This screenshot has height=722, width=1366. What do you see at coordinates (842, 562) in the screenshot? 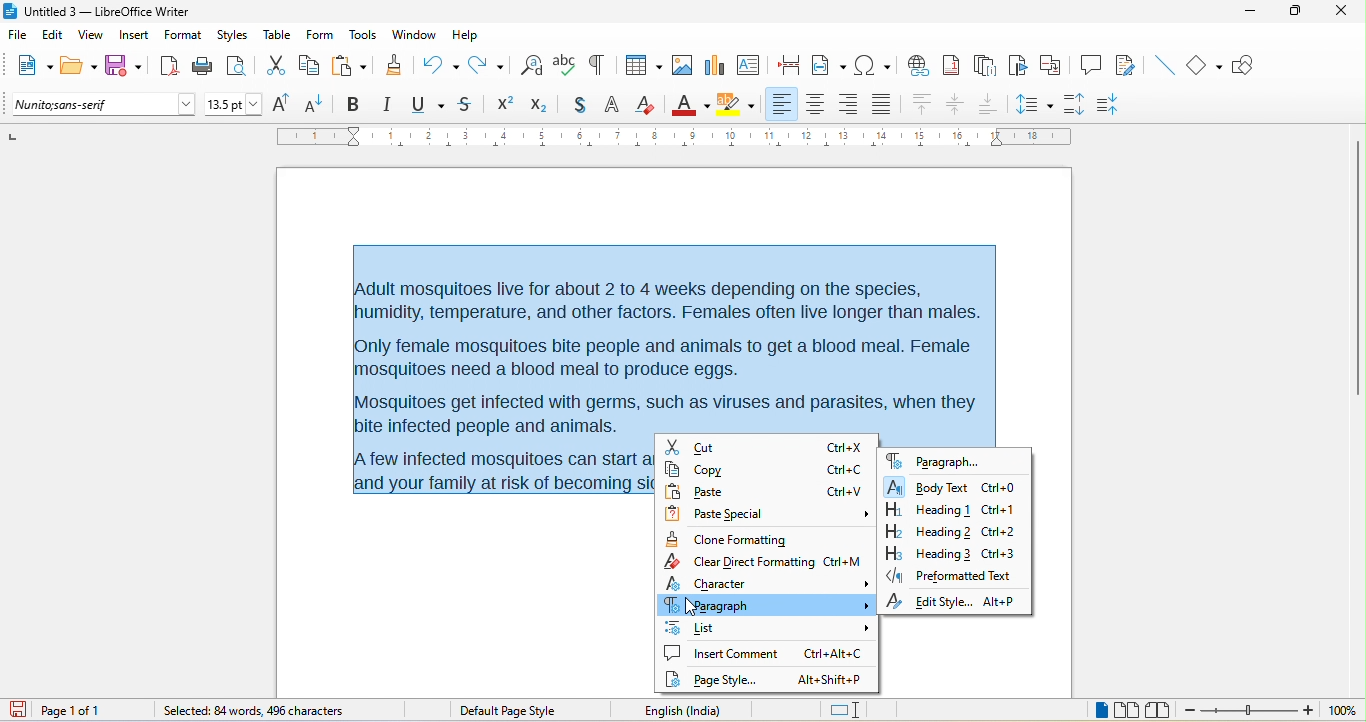
I see `shortcut key` at bounding box center [842, 562].